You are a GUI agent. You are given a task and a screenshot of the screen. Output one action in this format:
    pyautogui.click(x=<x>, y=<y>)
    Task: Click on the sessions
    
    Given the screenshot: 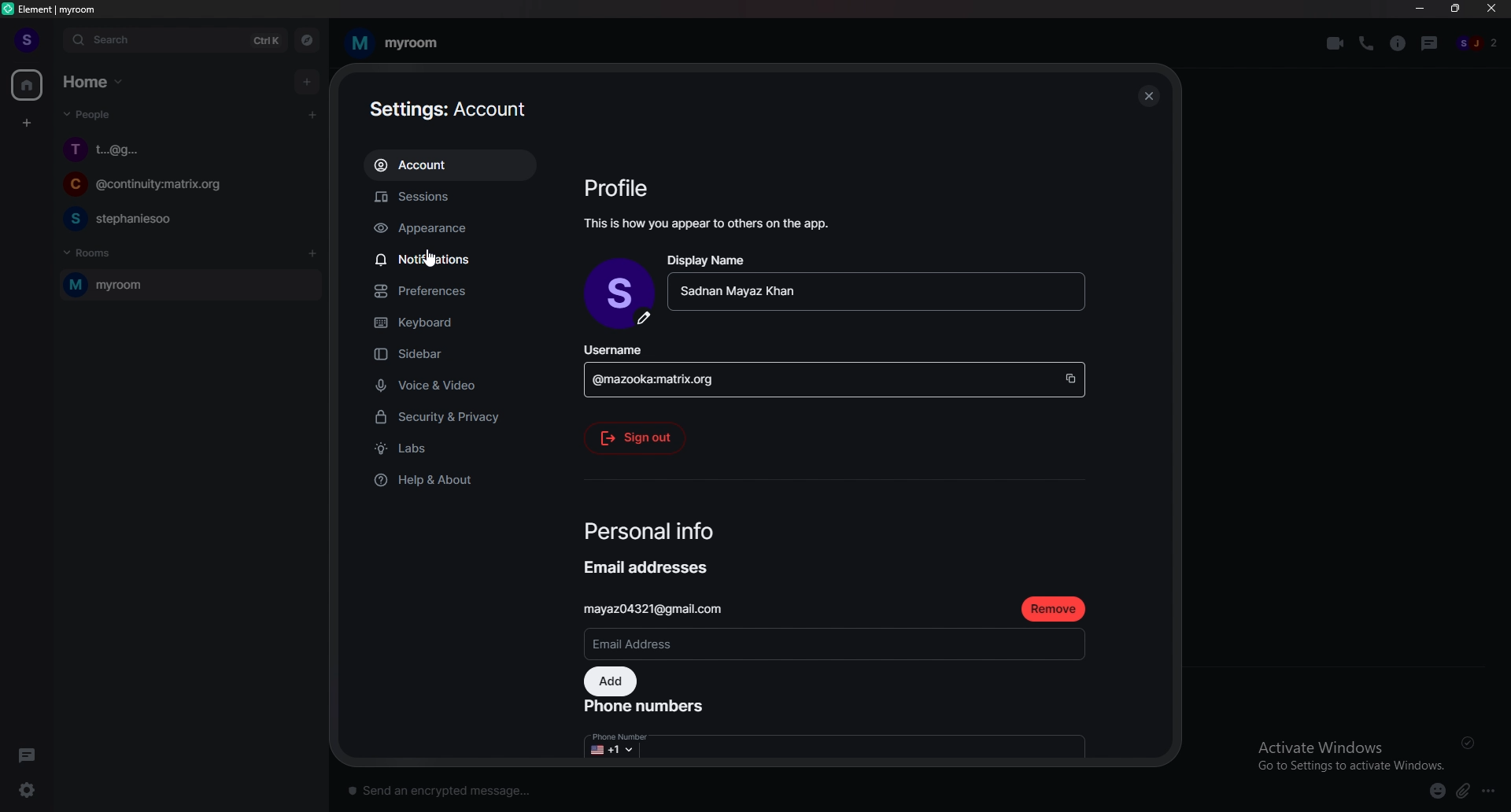 What is the action you would take?
    pyautogui.click(x=451, y=197)
    